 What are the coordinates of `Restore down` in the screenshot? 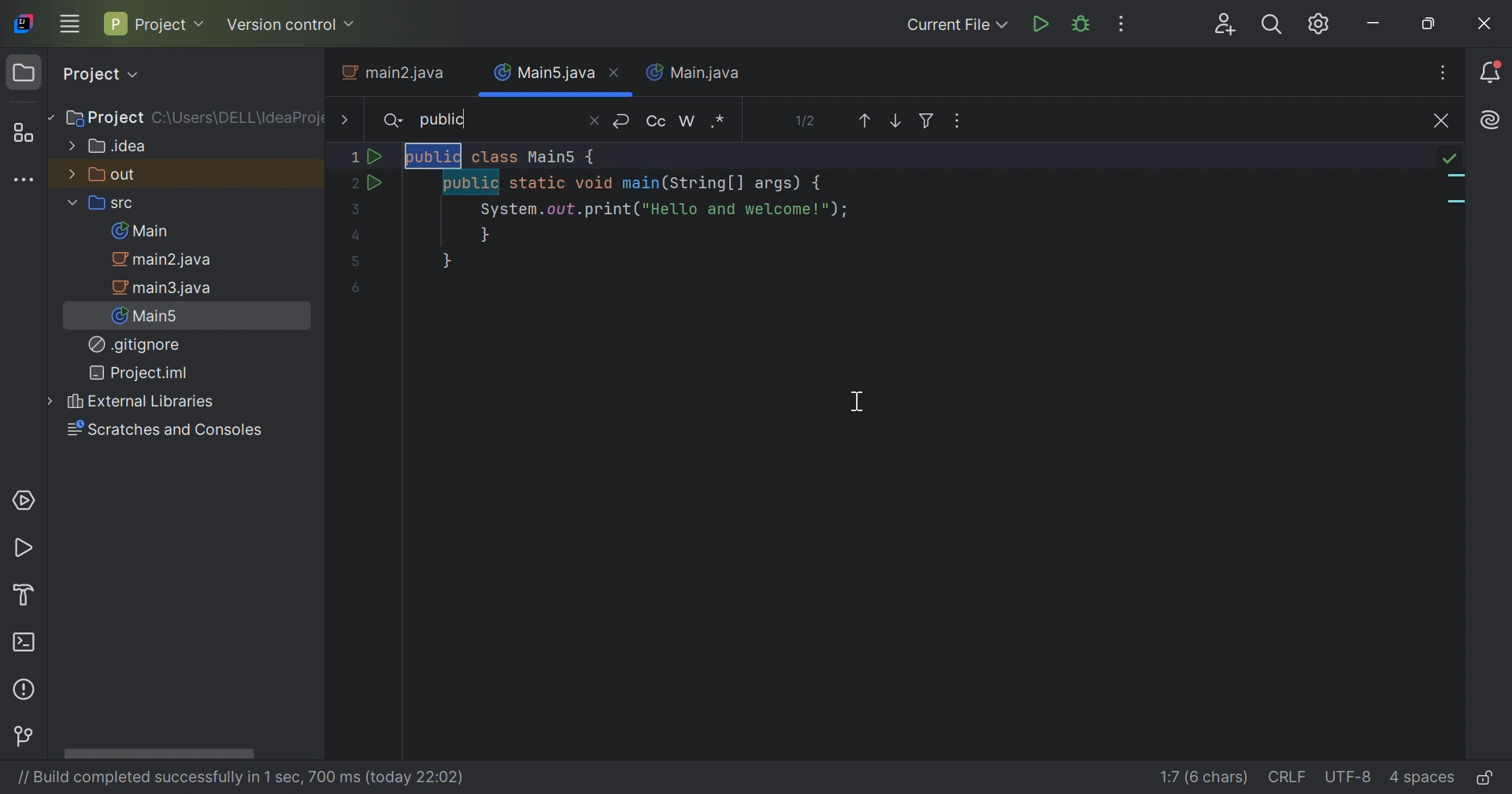 It's located at (1432, 26).